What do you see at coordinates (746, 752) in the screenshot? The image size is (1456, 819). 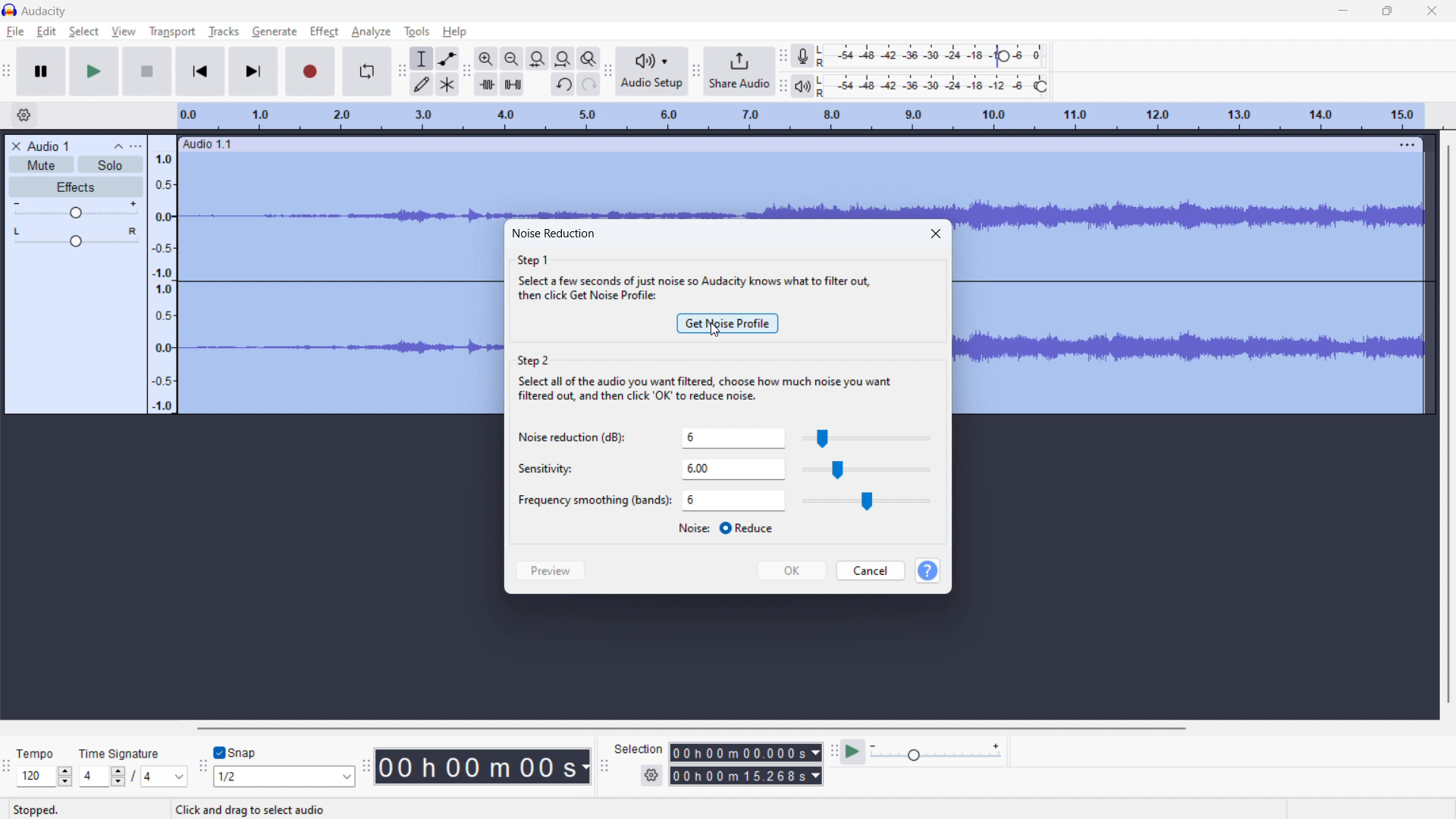 I see `start time` at bounding box center [746, 752].